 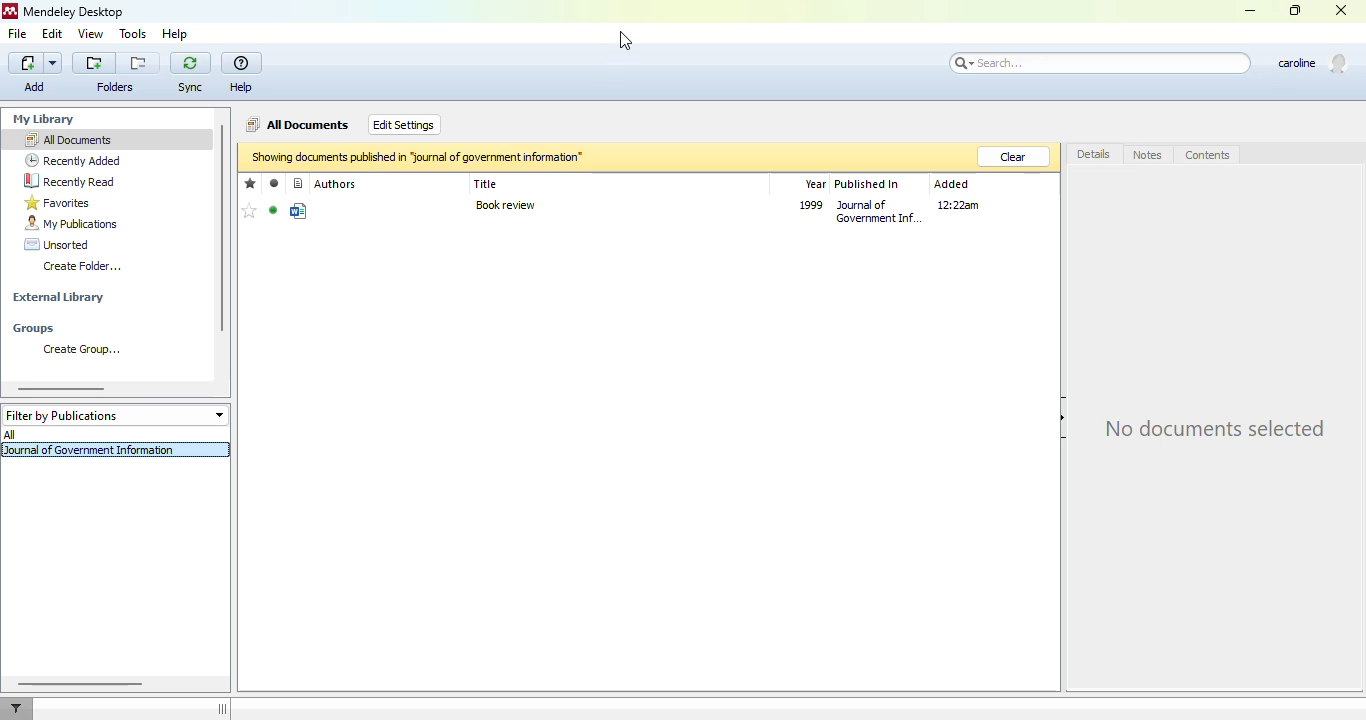 What do you see at coordinates (54, 35) in the screenshot?
I see `edit` at bounding box center [54, 35].